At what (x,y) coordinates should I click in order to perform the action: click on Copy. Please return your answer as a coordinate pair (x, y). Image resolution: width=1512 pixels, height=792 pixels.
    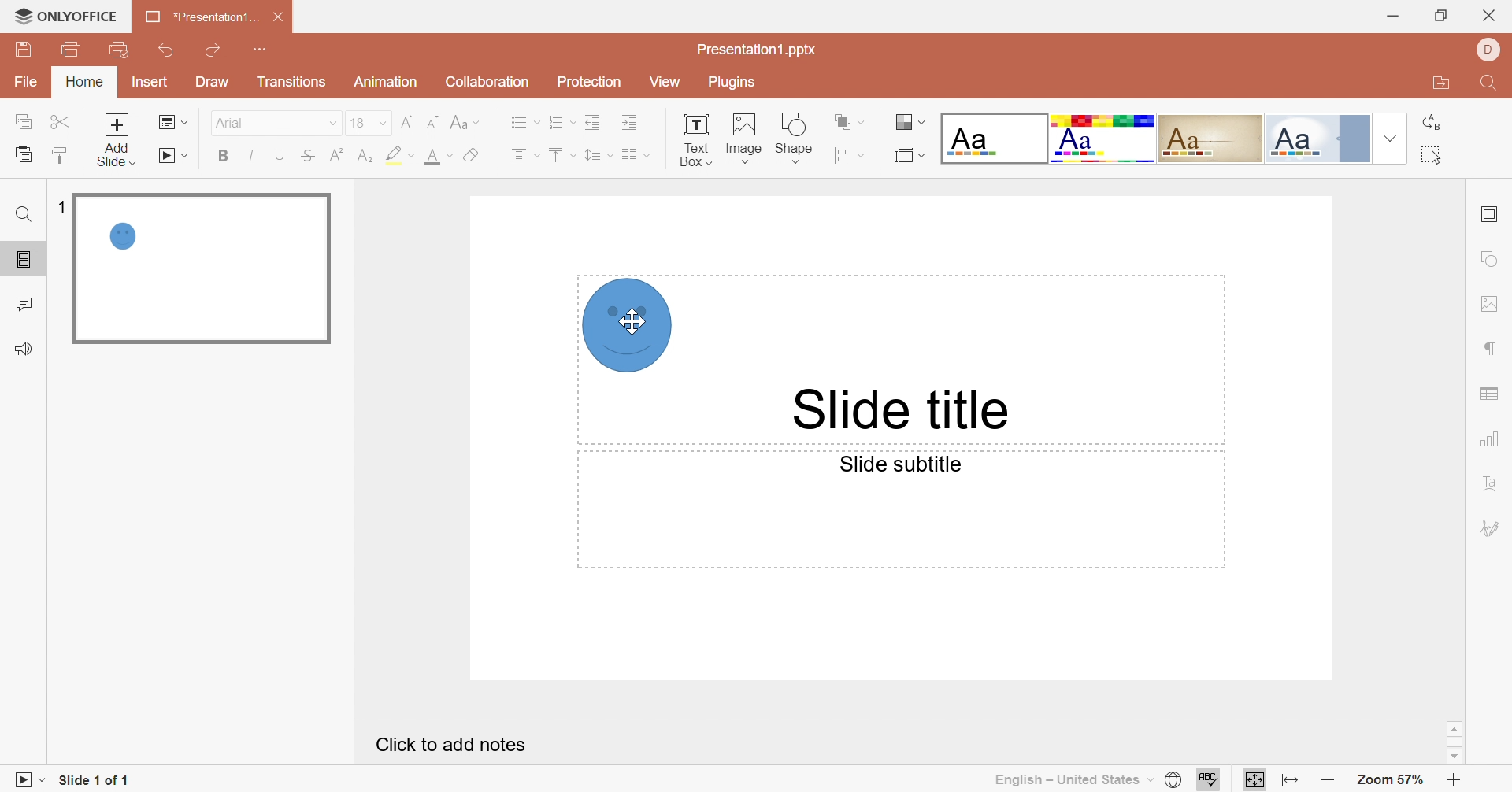
    Looking at the image, I should click on (28, 124).